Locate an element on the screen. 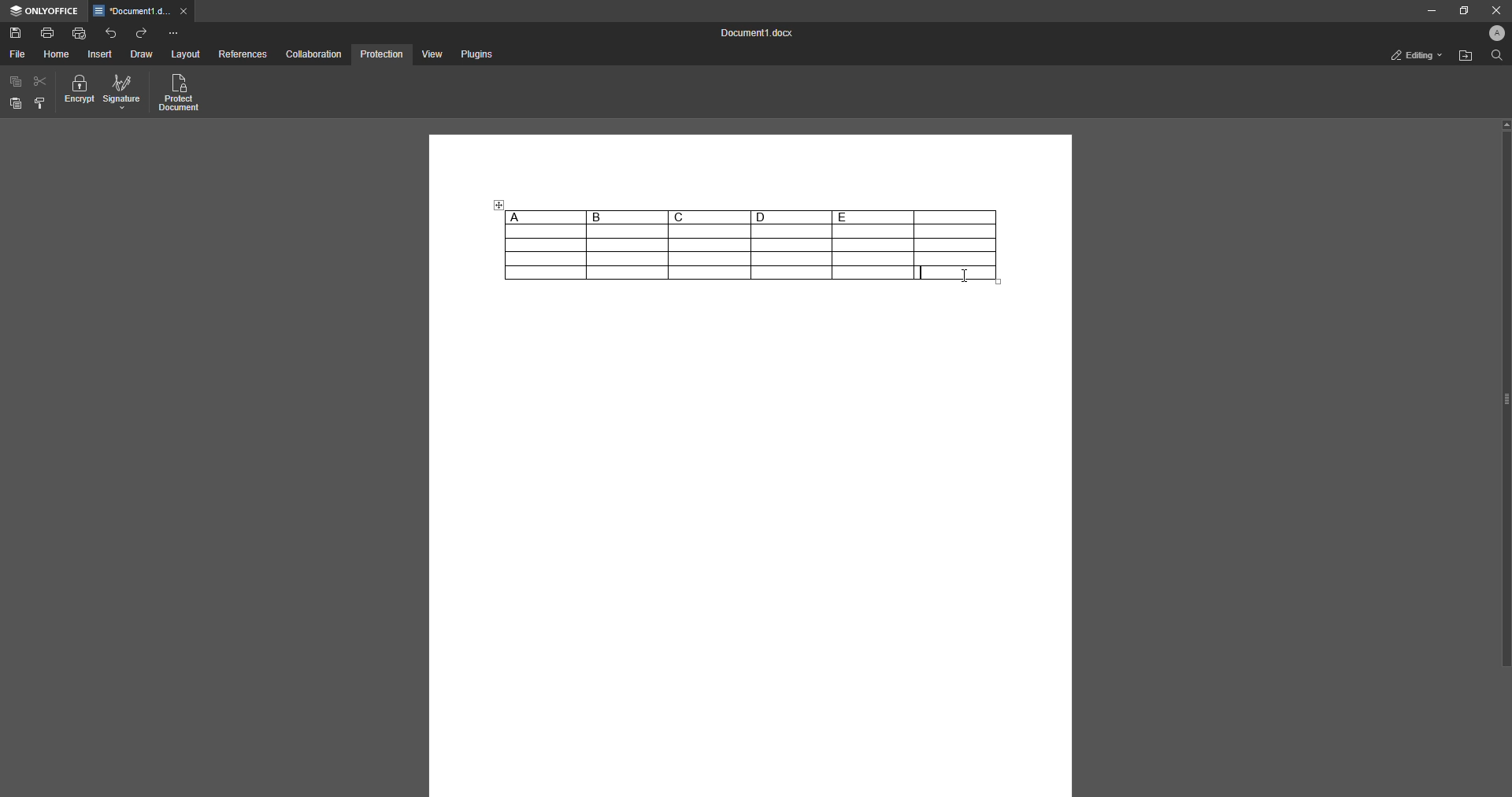  B is located at coordinates (627, 217).